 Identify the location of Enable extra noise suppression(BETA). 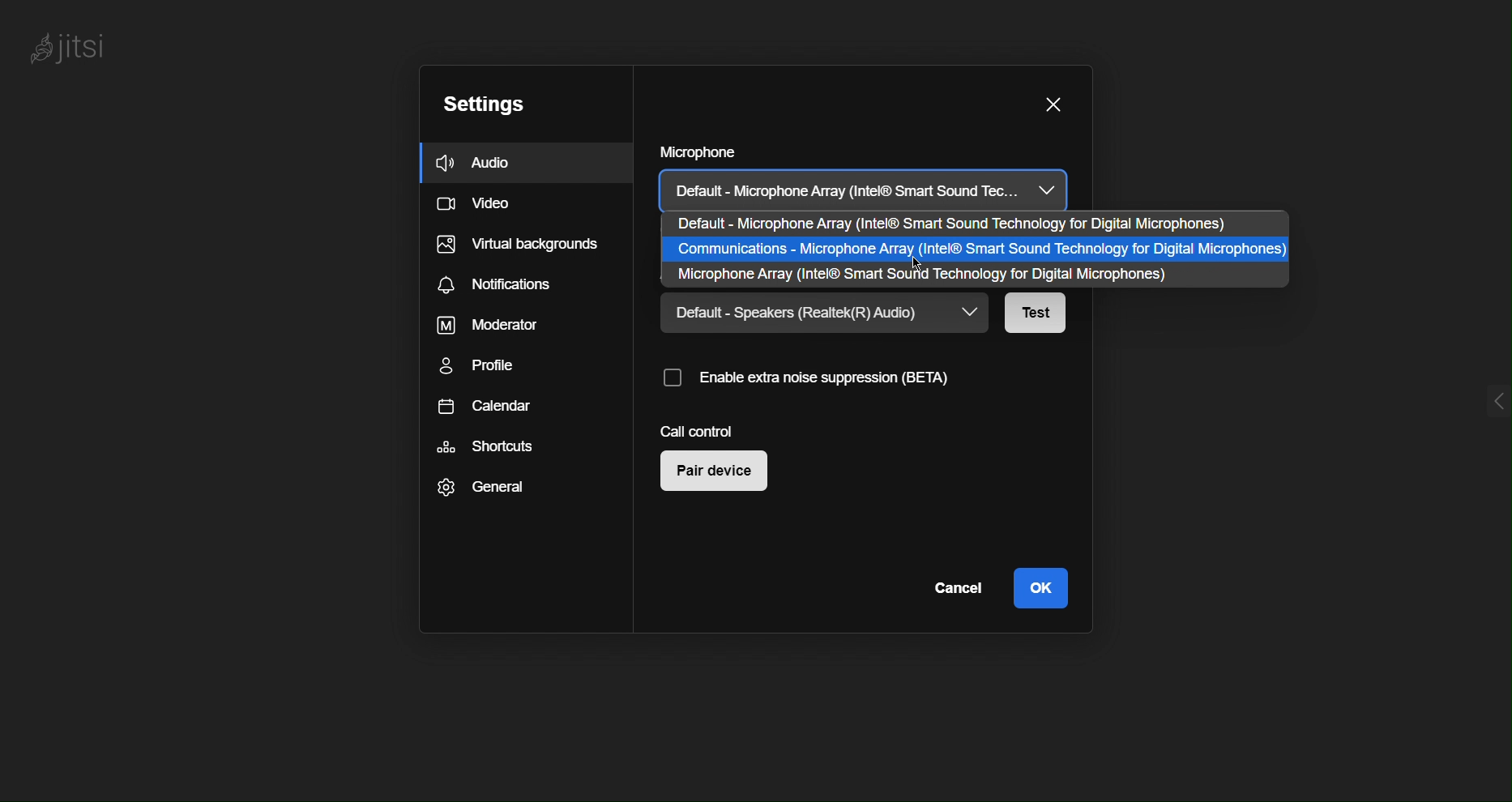
(835, 378).